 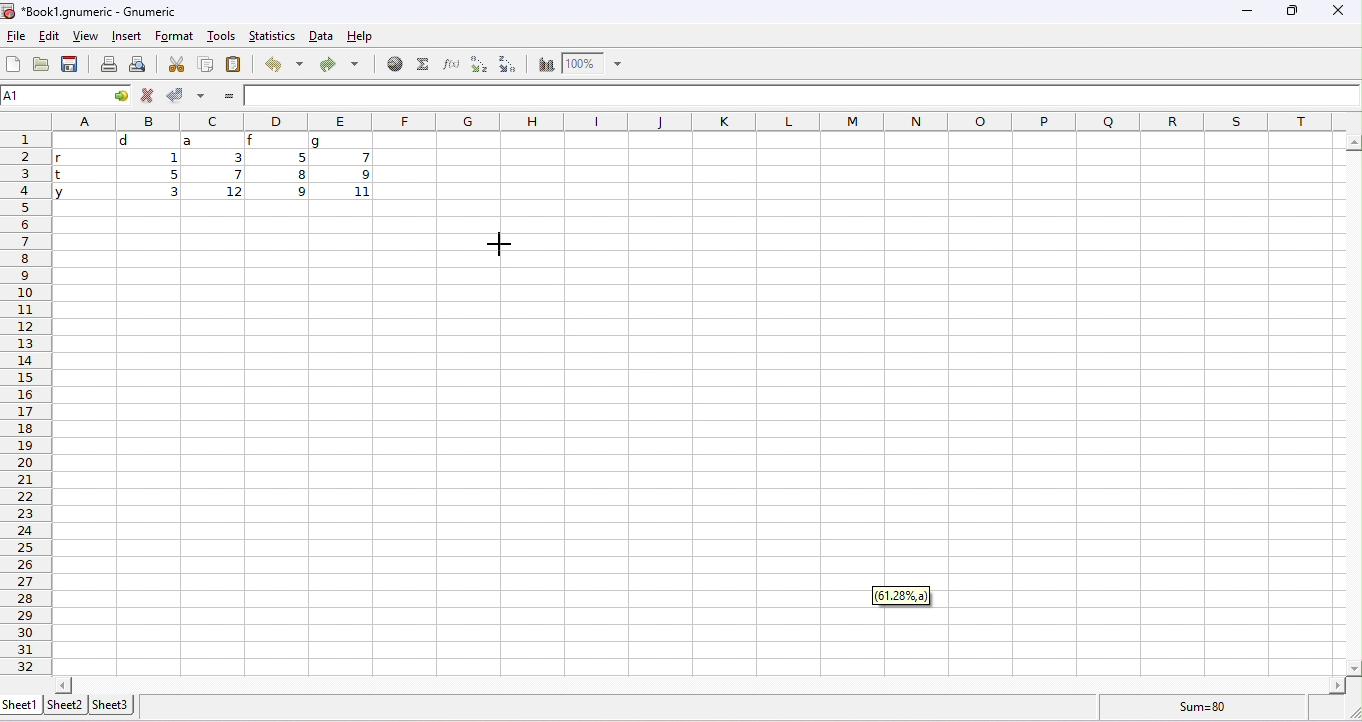 What do you see at coordinates (176, 94) in the screenshot?
I see `accept changes` at bounding box center [176, 94].